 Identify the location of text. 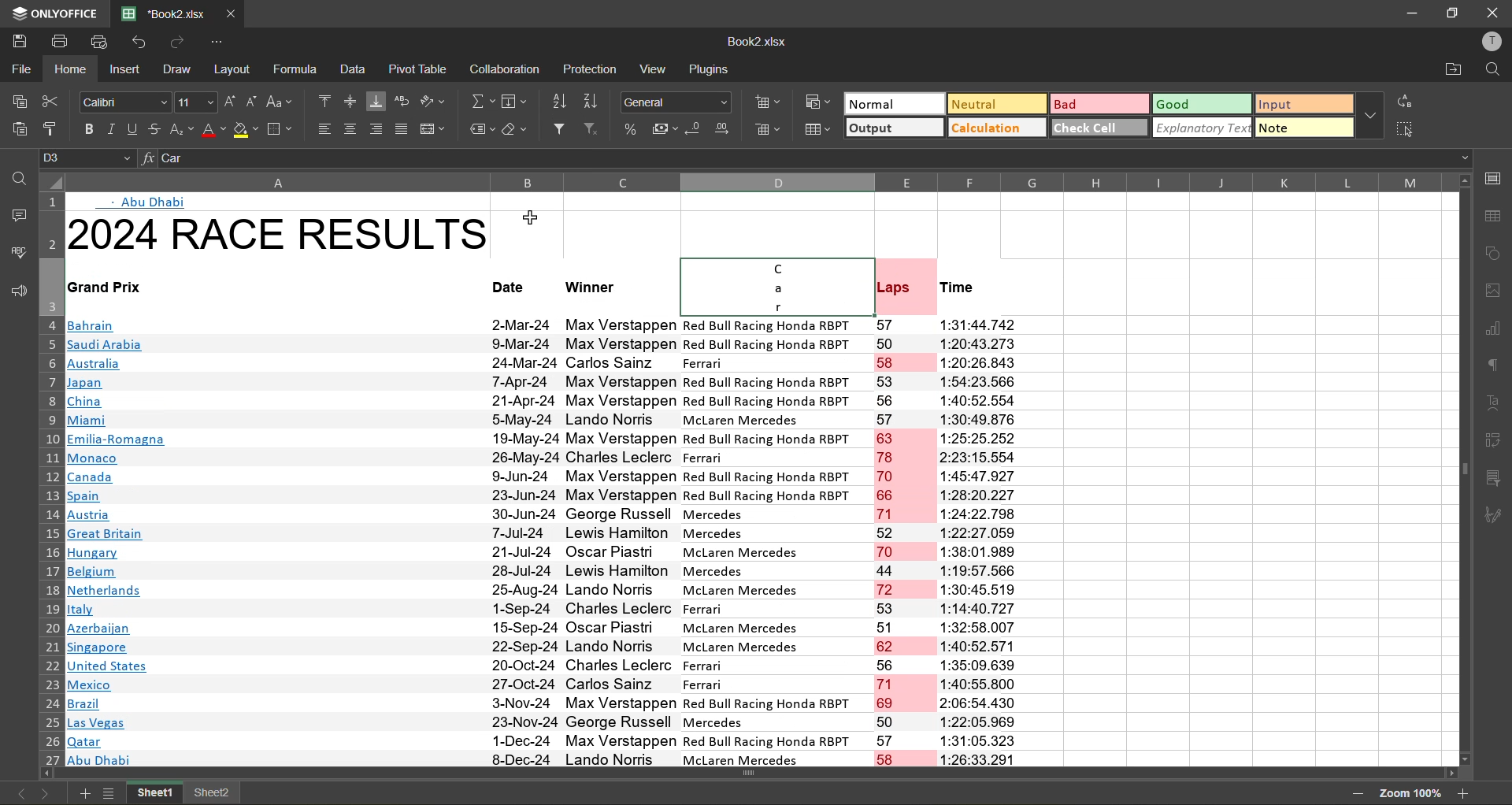
(1494, 402).